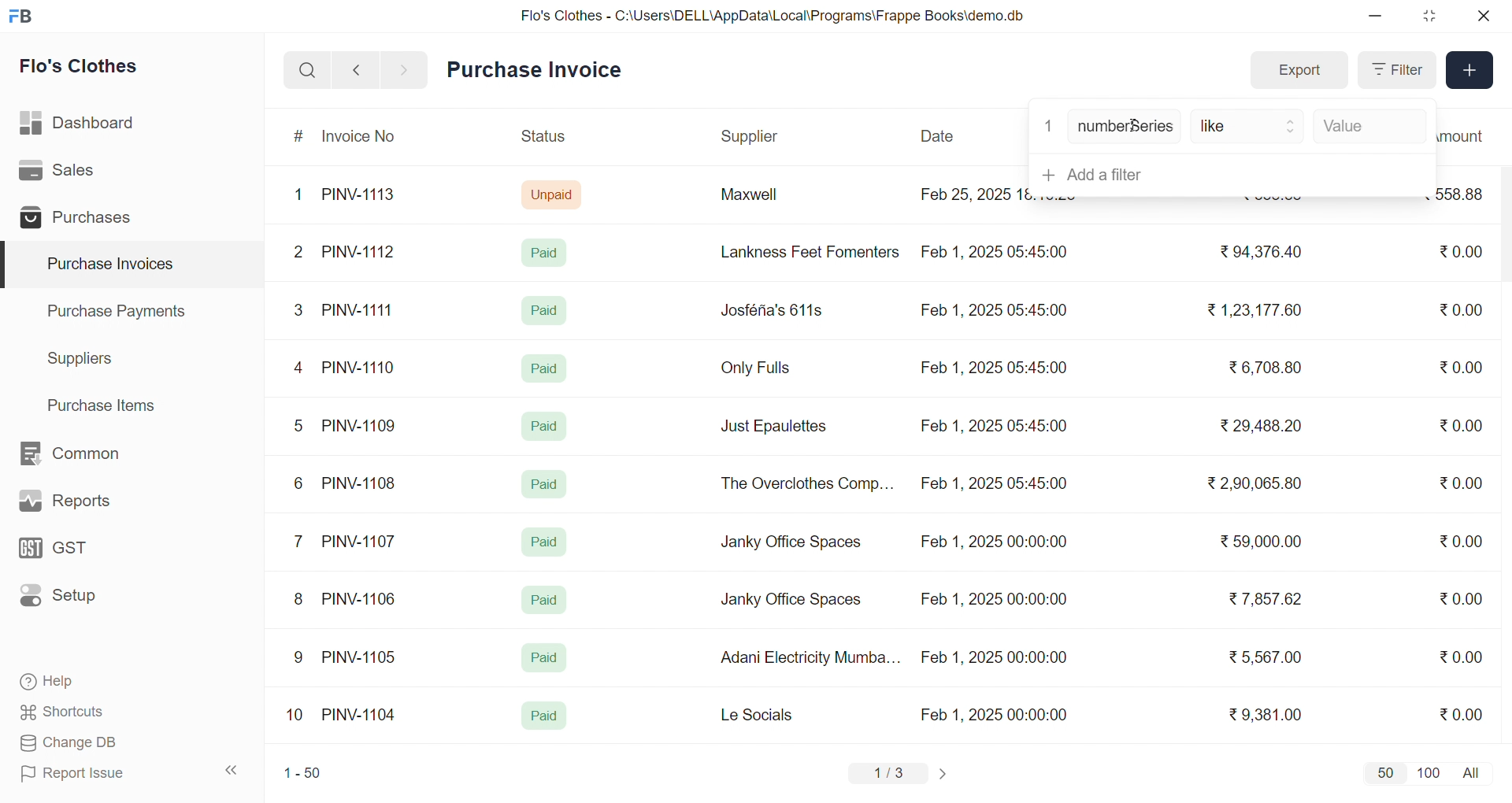 The image size is (1512, 803). Describe the element at coordinates (993, 426) in the screenshot. I see `Feb 1, 2025 05:45:00` at that location.